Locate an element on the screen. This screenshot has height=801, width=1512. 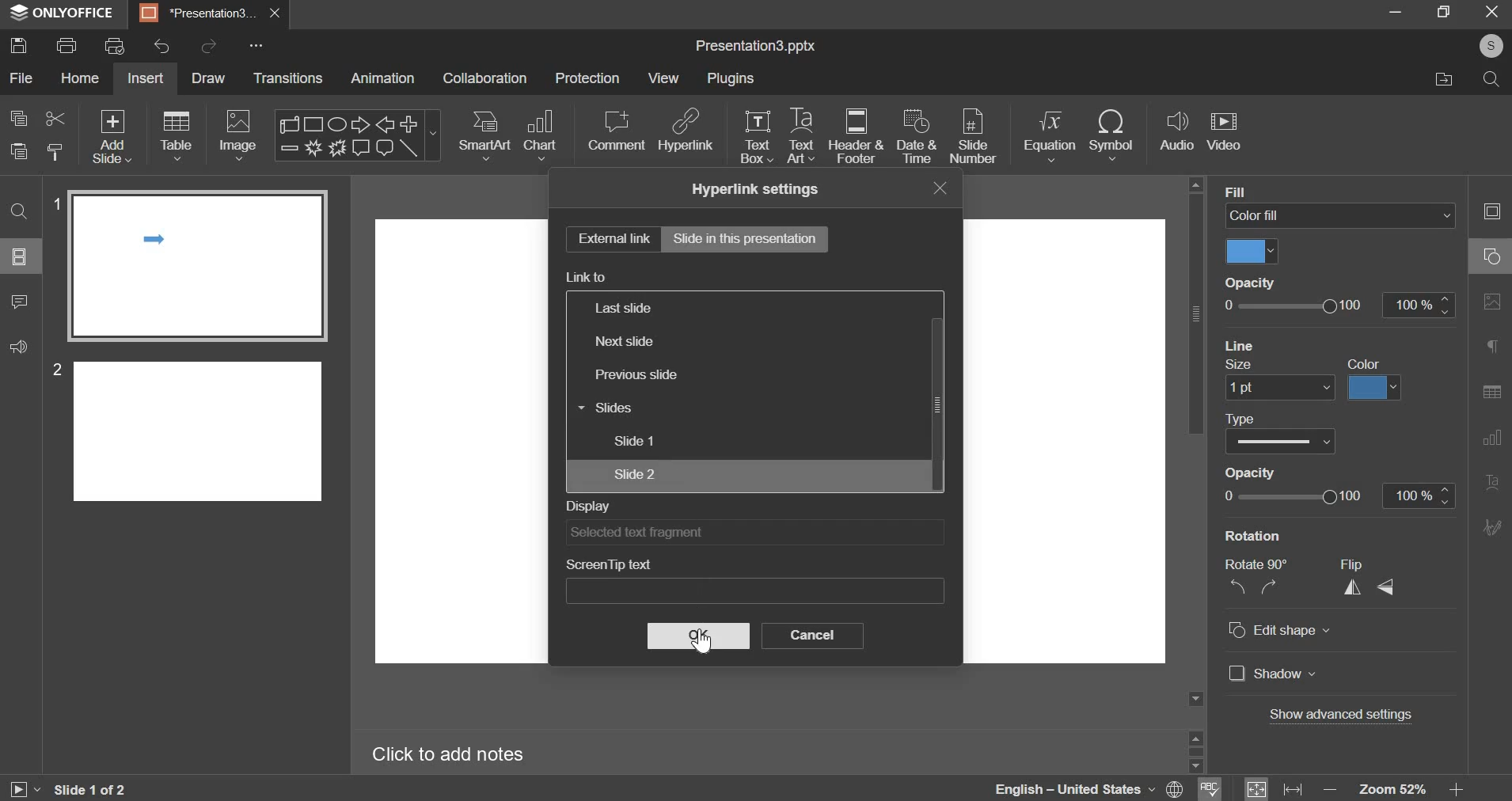
scroll up is located at coordinates (1195, 736).